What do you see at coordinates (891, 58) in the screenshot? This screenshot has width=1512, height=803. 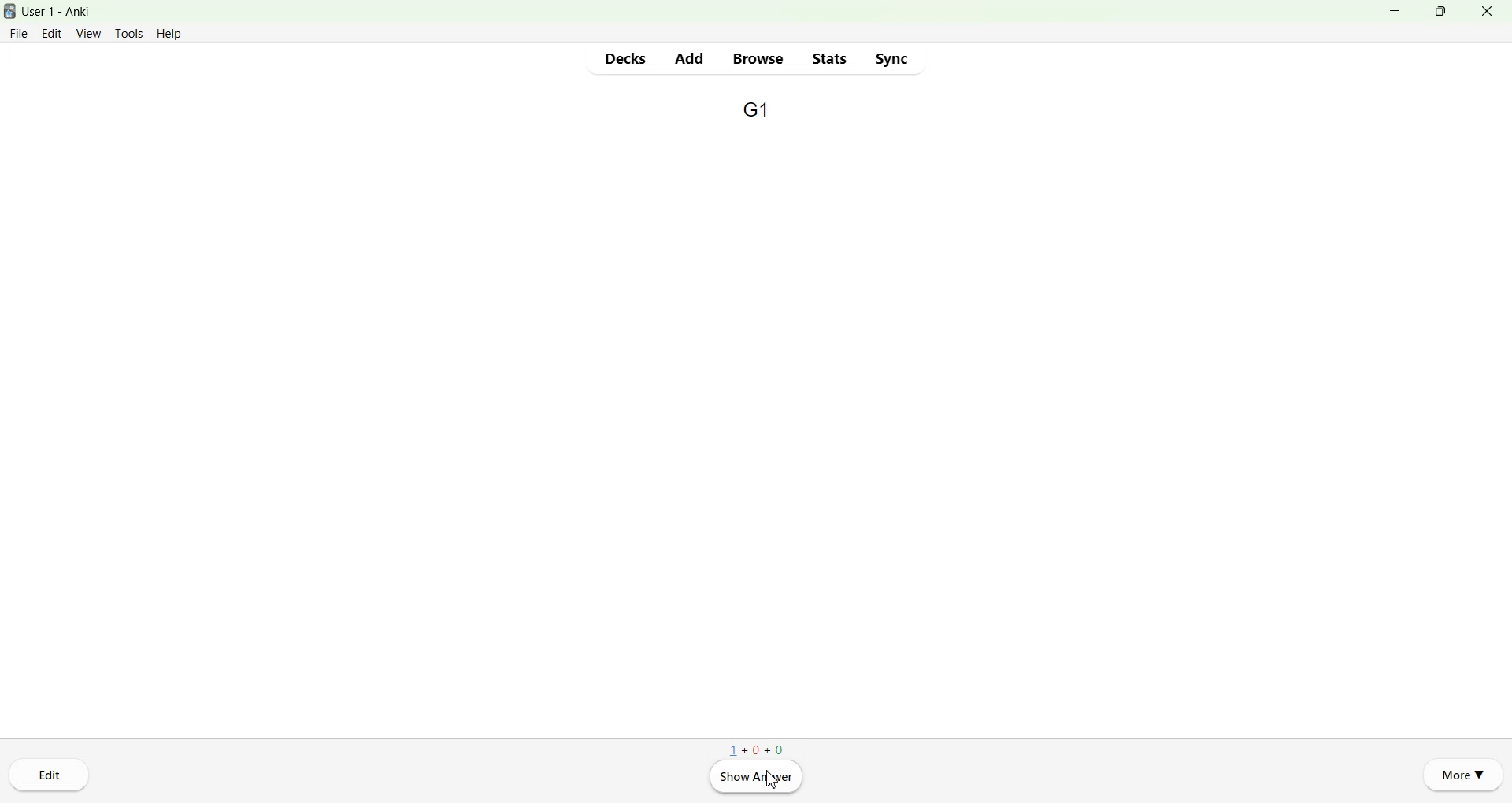 I see `Sync` at bounding box center [891, 58].